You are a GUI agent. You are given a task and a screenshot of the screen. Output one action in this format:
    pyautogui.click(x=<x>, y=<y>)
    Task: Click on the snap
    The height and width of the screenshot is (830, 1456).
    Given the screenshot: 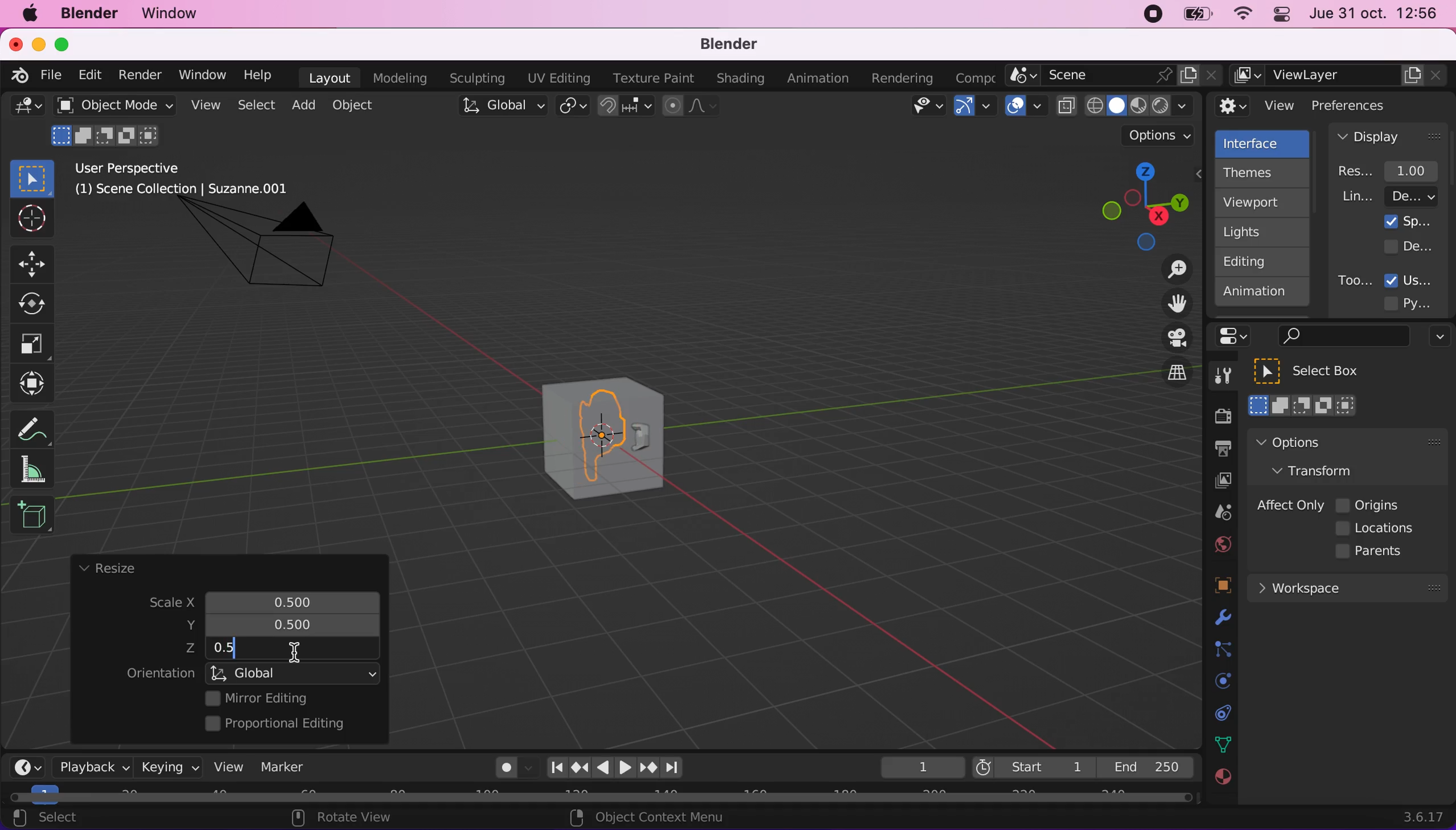 What is the action you would take?
    pyautogui.click(x=627, y=106)
    